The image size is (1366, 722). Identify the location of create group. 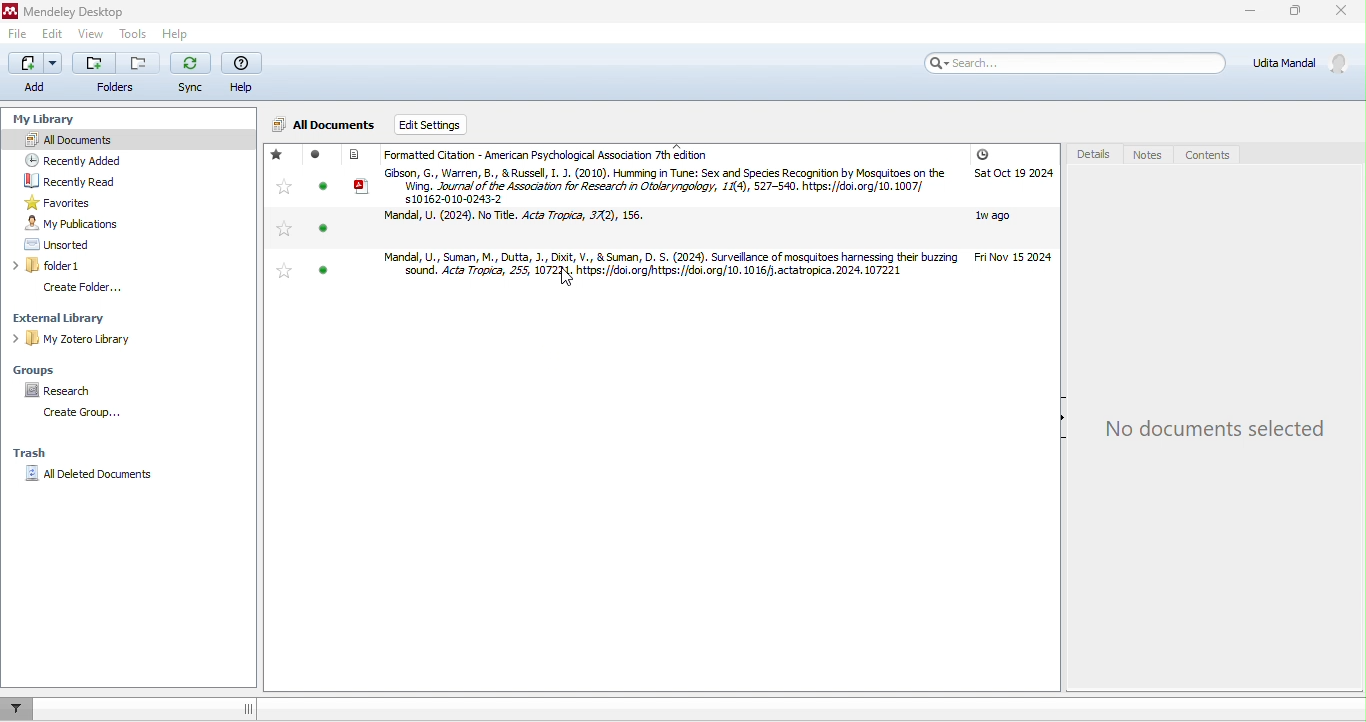
(86, 414).